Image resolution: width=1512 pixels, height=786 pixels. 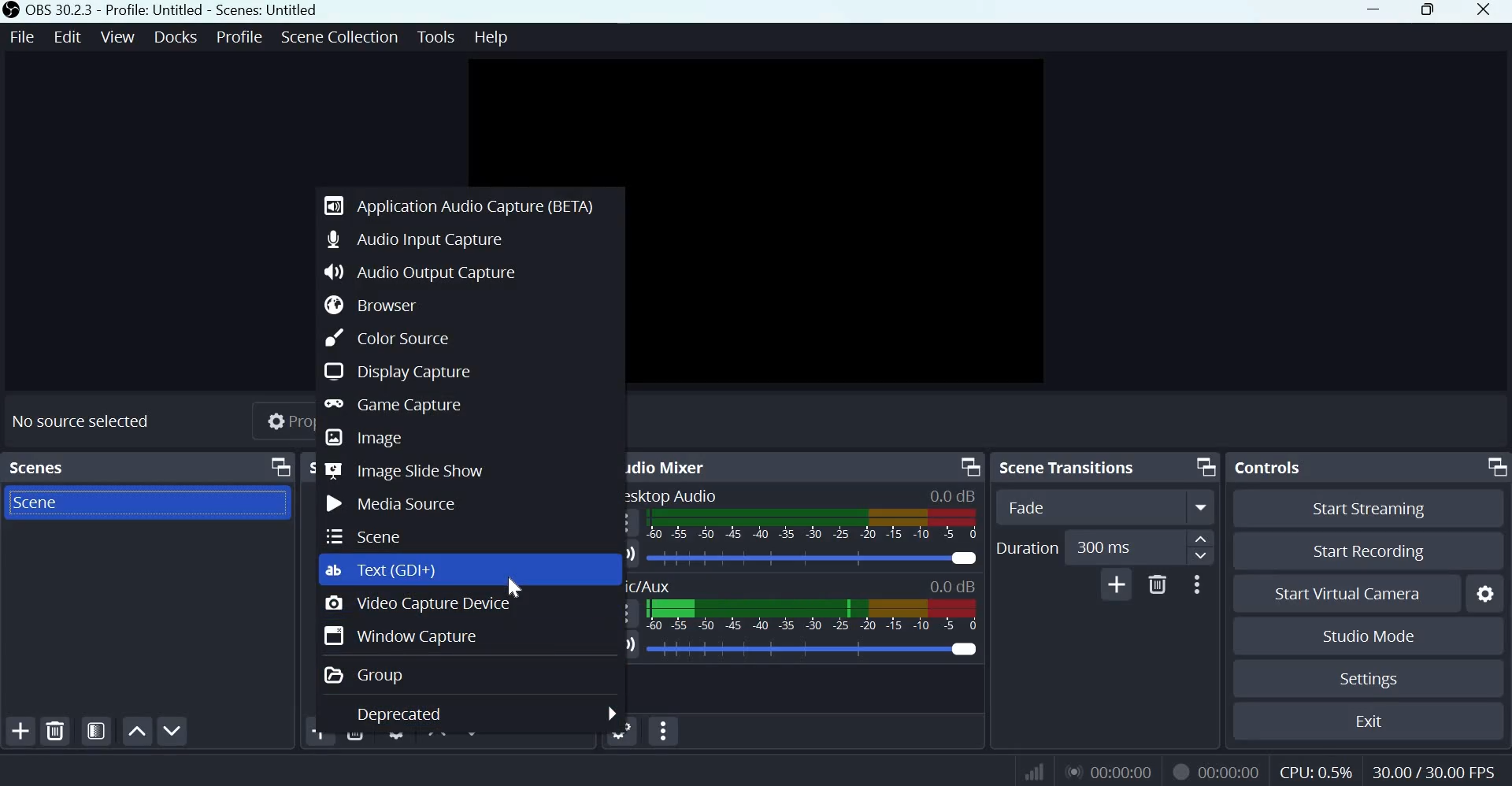 What do you see at coordinates (417, 238) in the screenshot?
I see `Audio Input Capture` at bounding box center [417, 238].